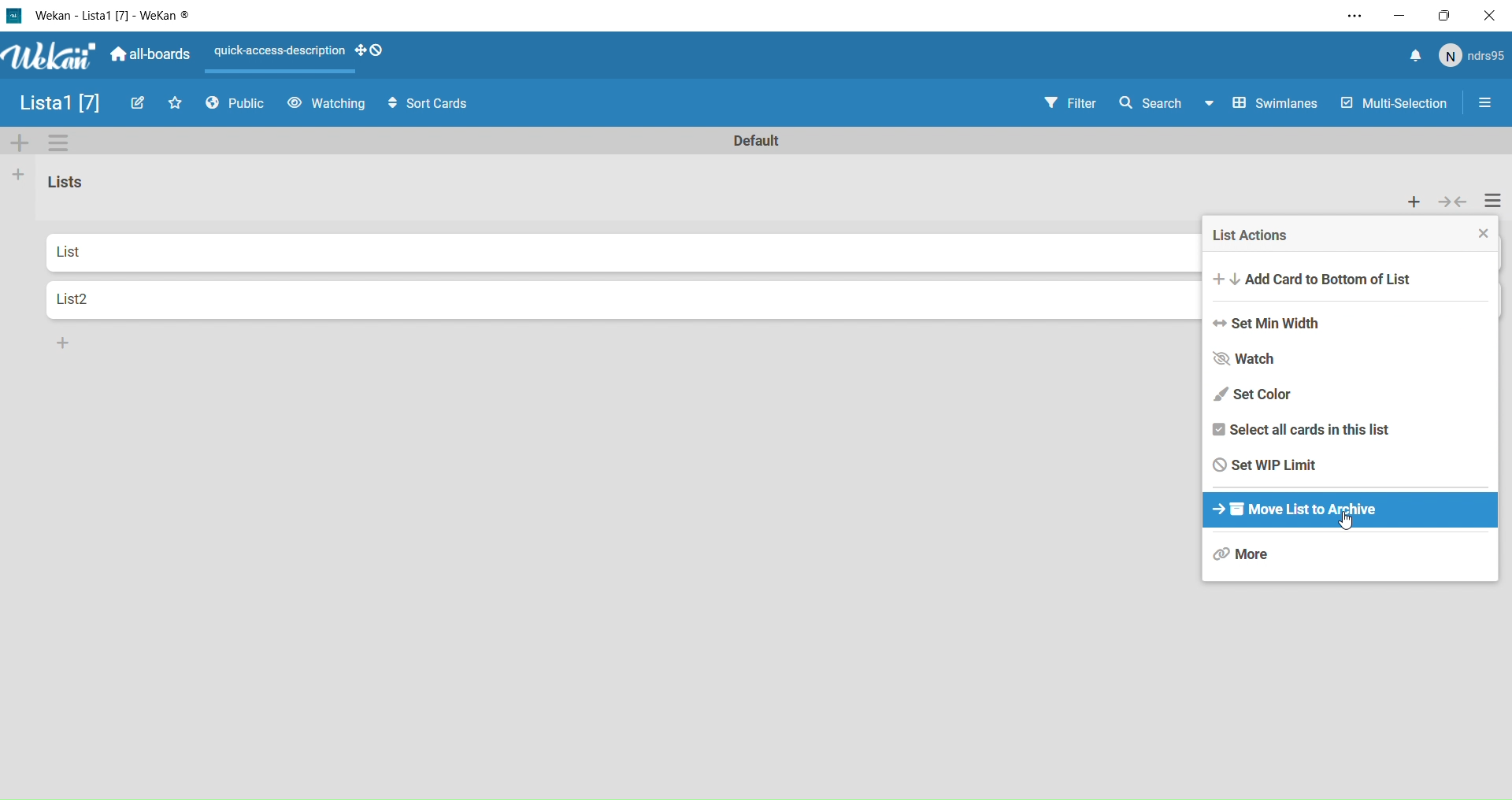  What do you see at coordinates (1415, 61) in the screenshot?
I see `notify` at bounding box center [1415, 61].